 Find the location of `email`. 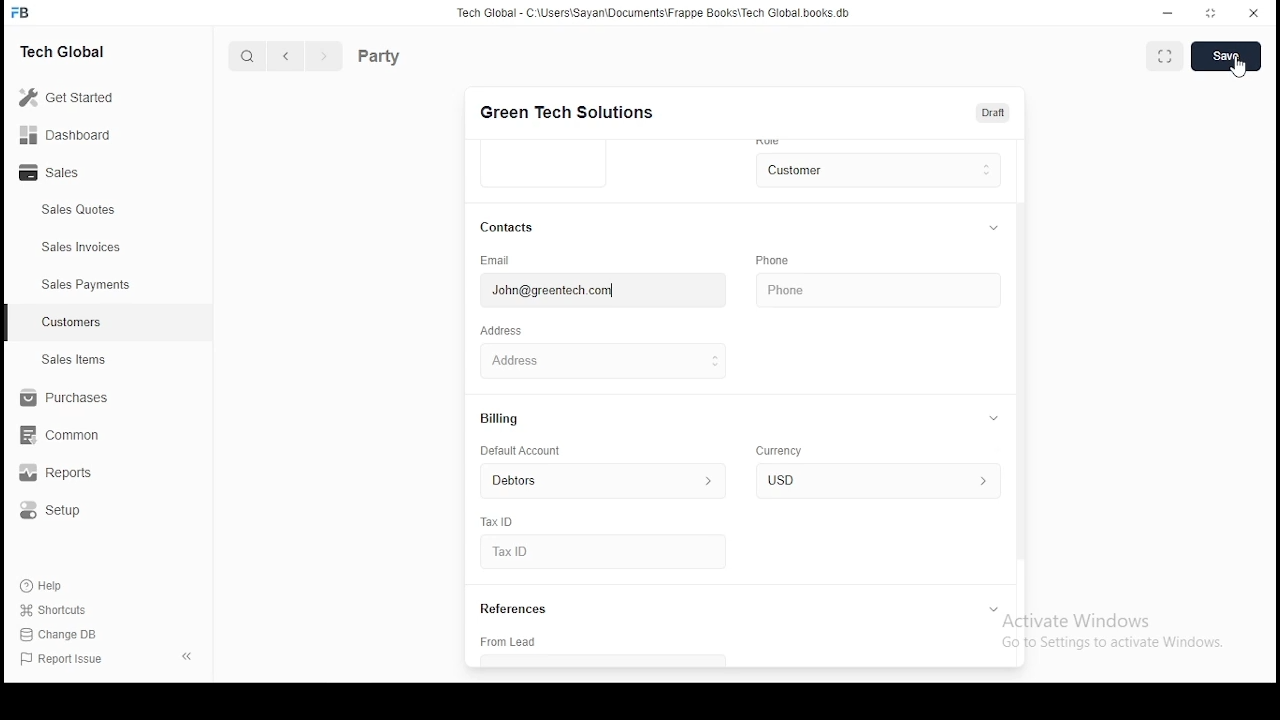

email is located at coordinates (500, 259).